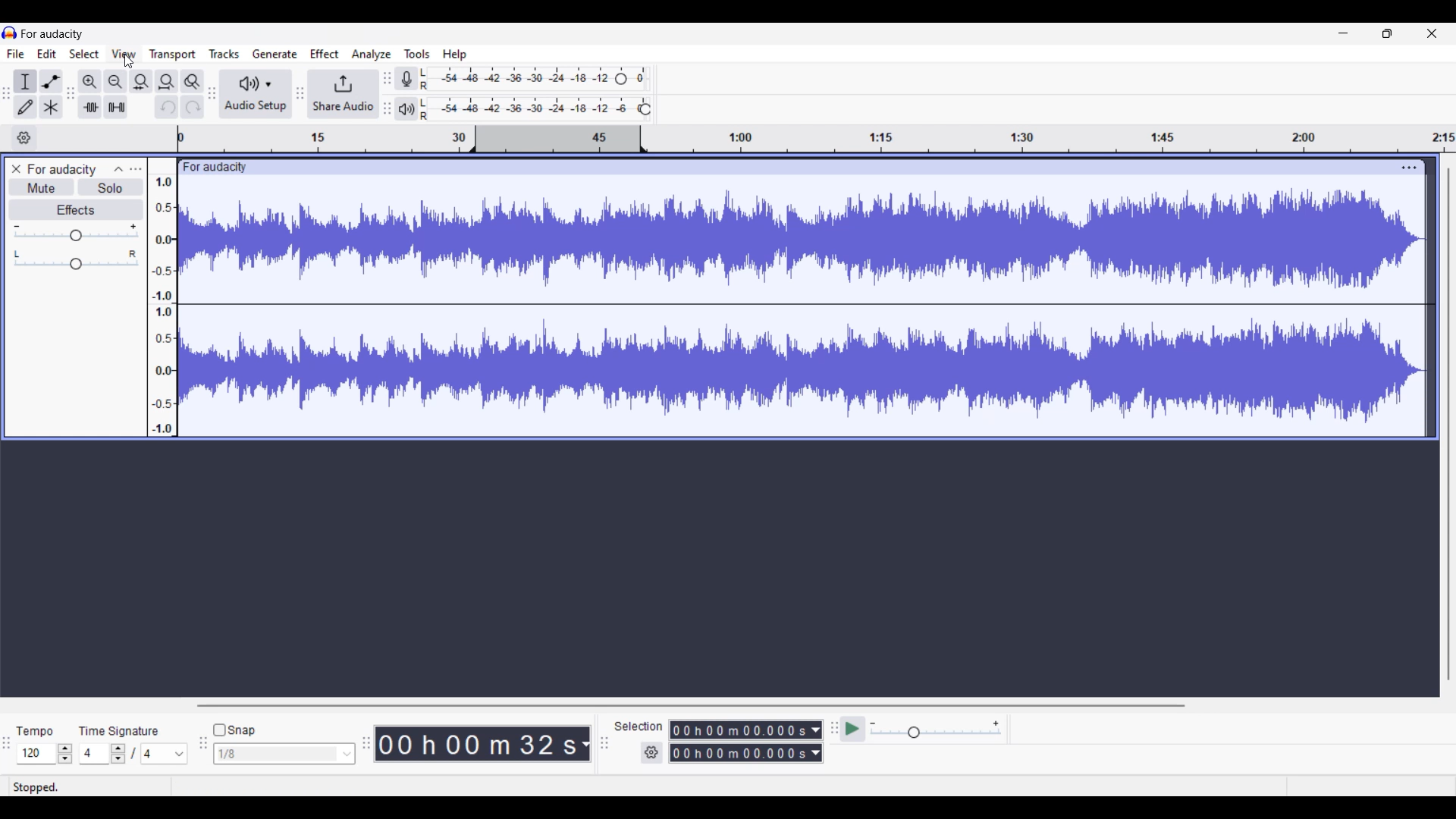 The width and height of the screenshot is (1456, 819). Describe the element at coordinates (10, 33) in the screenshot. I see `Software logo` at that location.